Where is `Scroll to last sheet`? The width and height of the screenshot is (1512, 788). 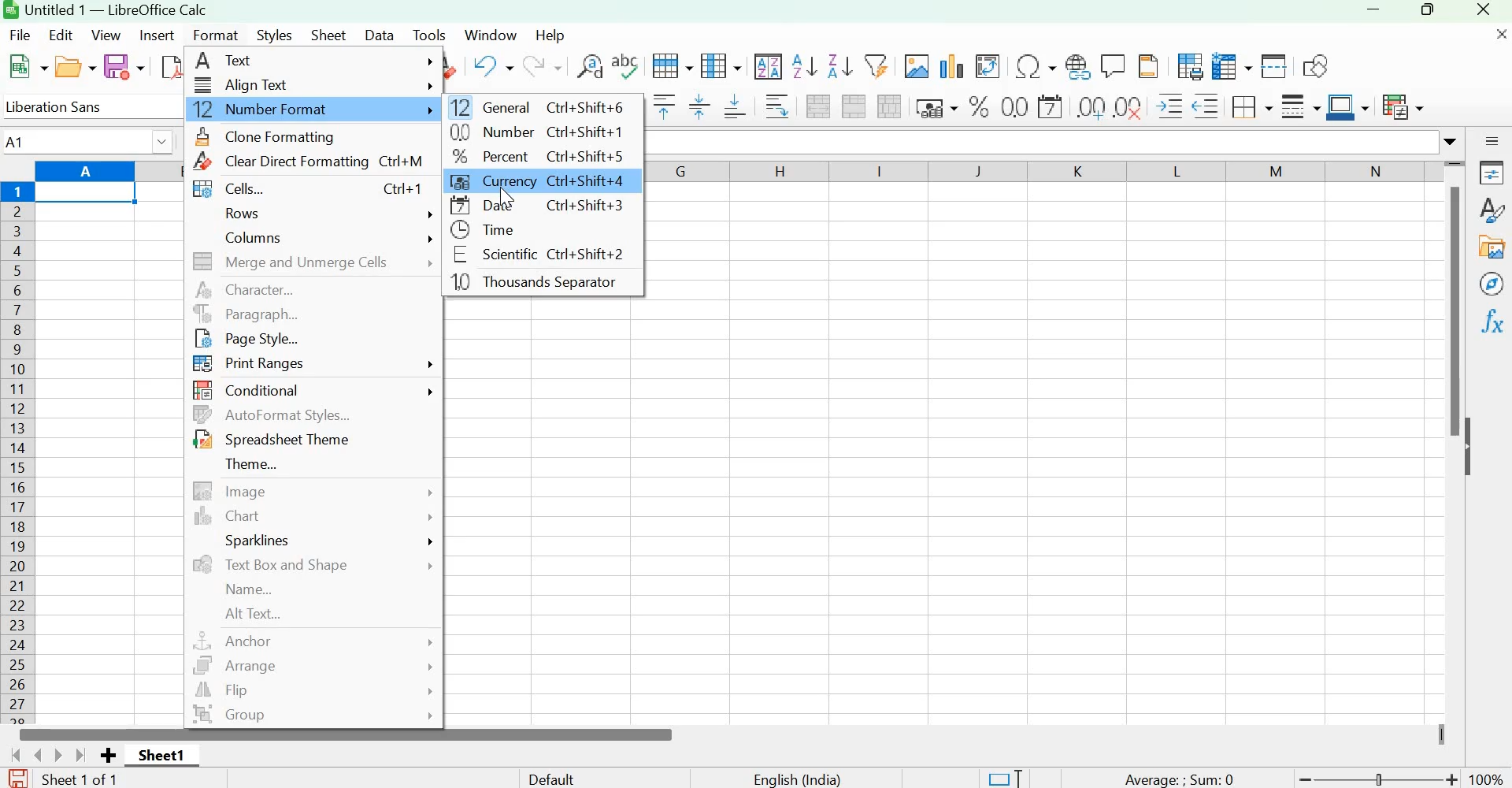
Scroll to last sheet is located at coordinates (83, 755).